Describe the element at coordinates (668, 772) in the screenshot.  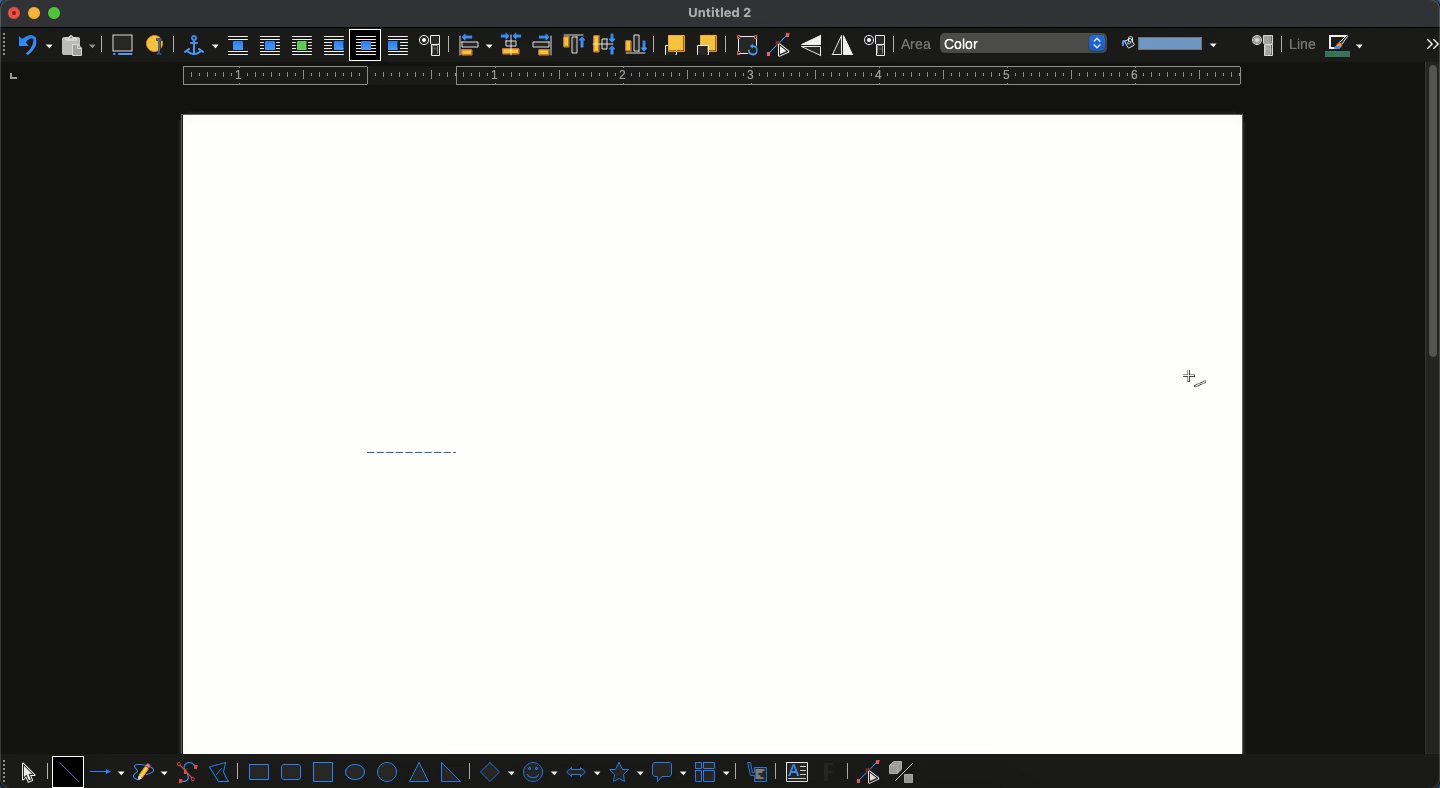
I see `callout` at that location.